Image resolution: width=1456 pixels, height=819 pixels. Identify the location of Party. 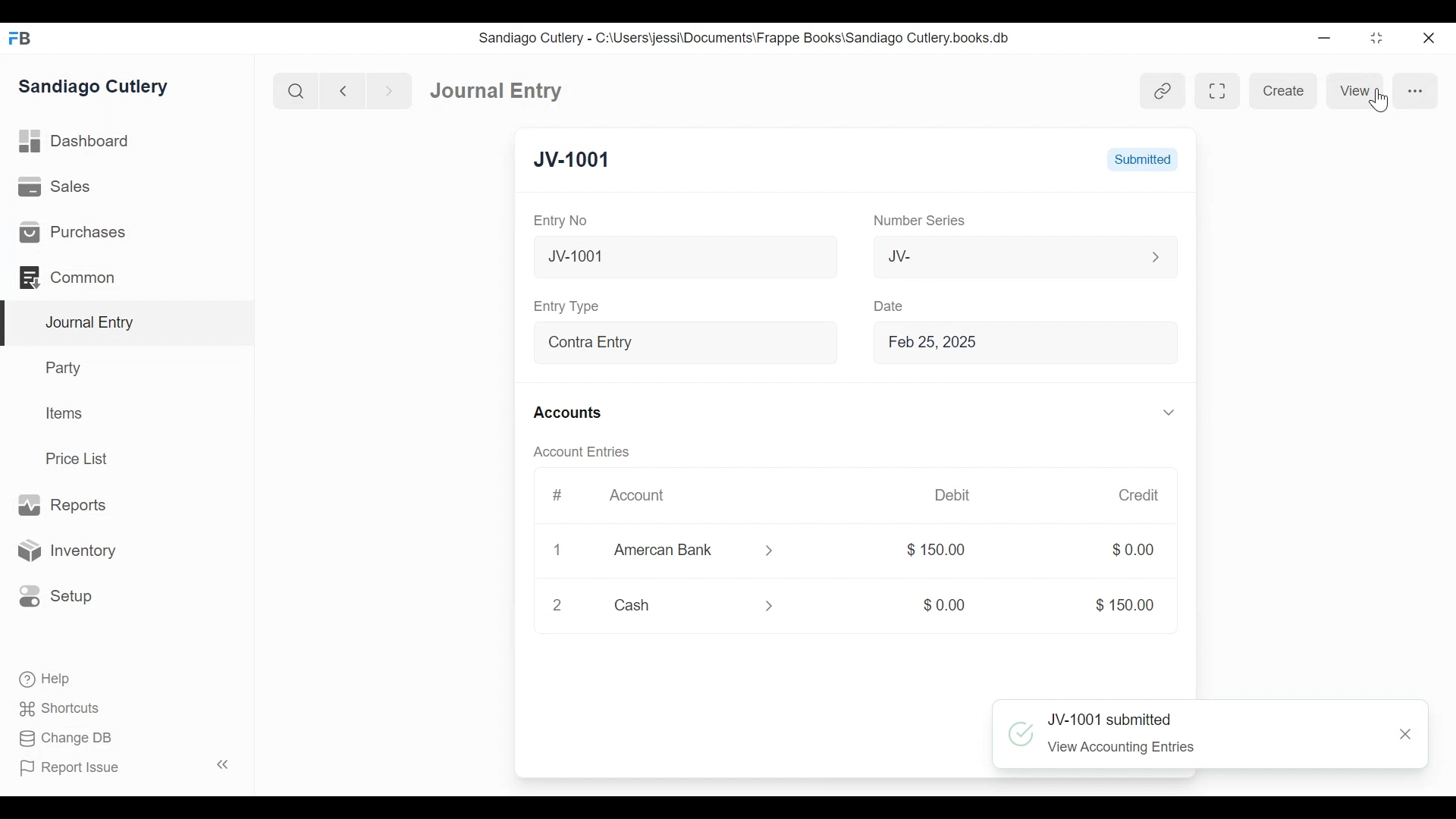
(67, 367).